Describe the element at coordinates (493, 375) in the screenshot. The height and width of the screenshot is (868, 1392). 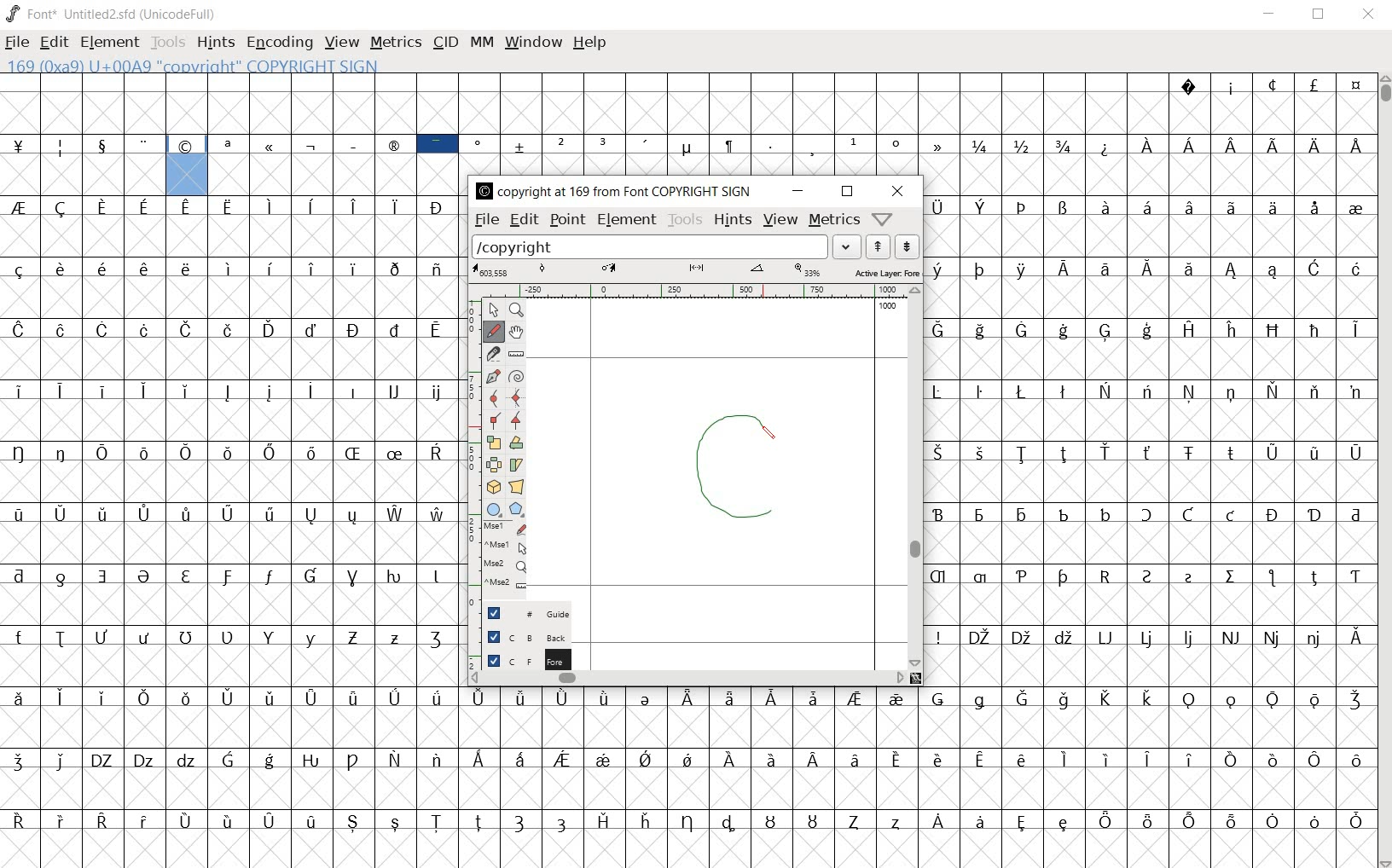
I see `add a point, then drag out its control points` at that location.